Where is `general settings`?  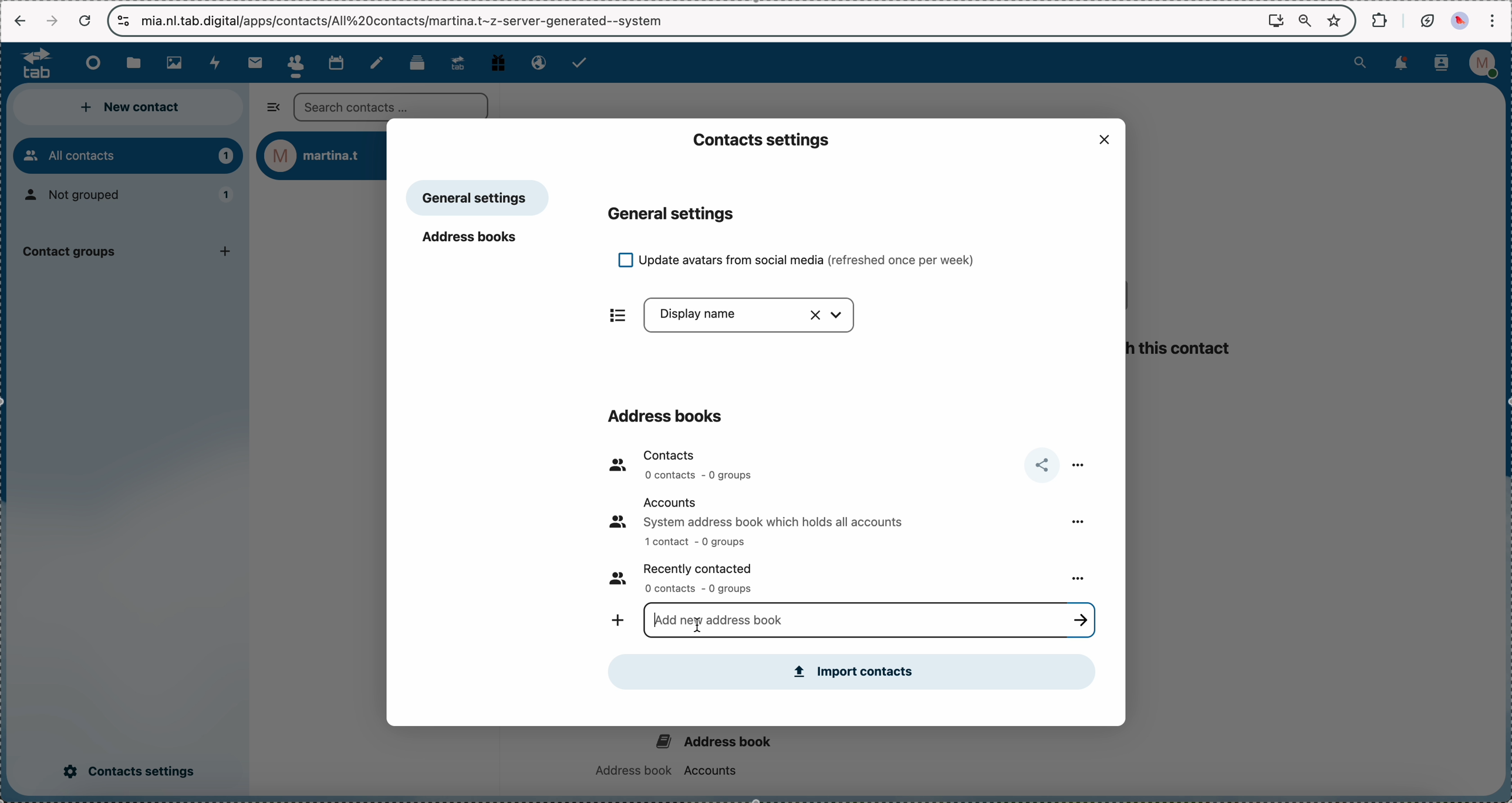
general settings is located at coordinates (478, 198).